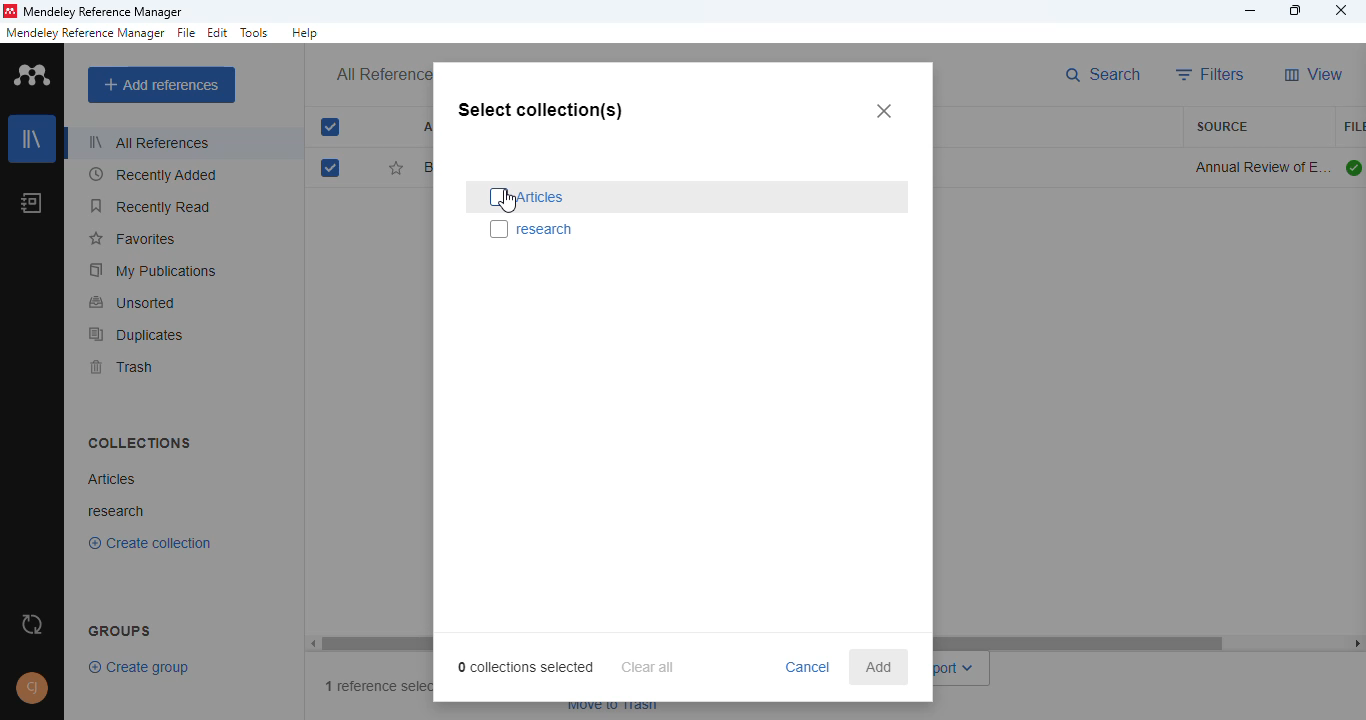  I want to click on file, so click(185, 33).